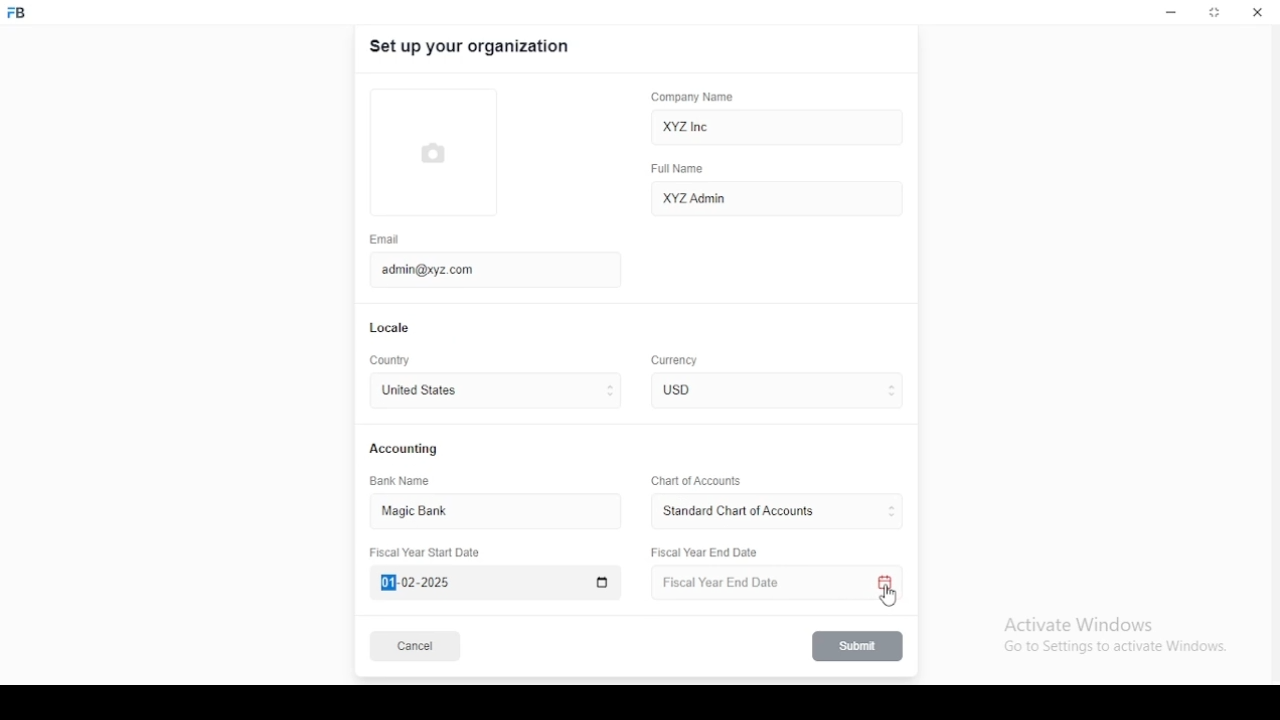 The height and width of the screenshot is (720, 1280). I want to click on set up your organization, so click(471, 47).